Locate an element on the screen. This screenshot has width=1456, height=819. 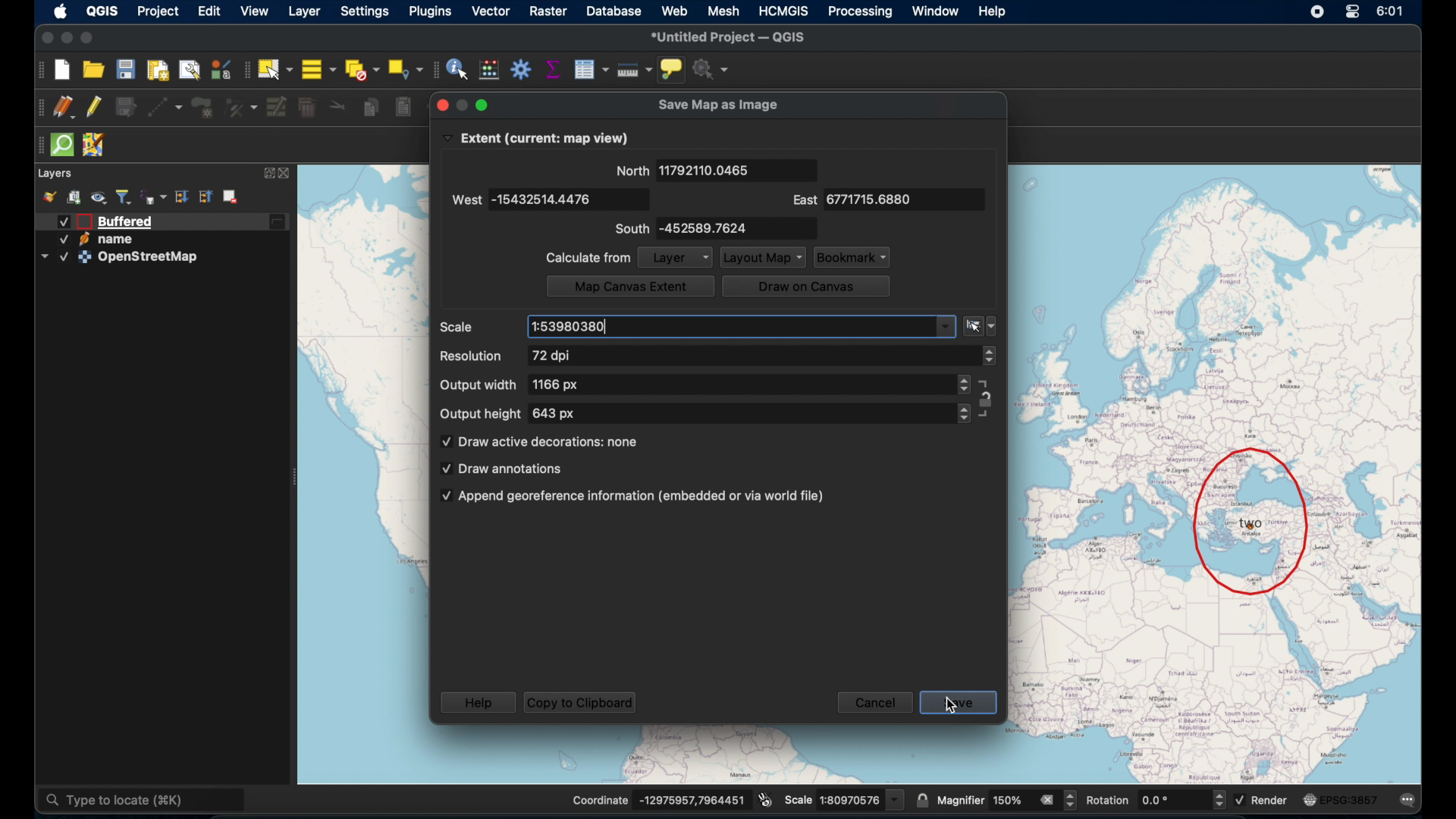
layout map is located at coordinates (764, 257).